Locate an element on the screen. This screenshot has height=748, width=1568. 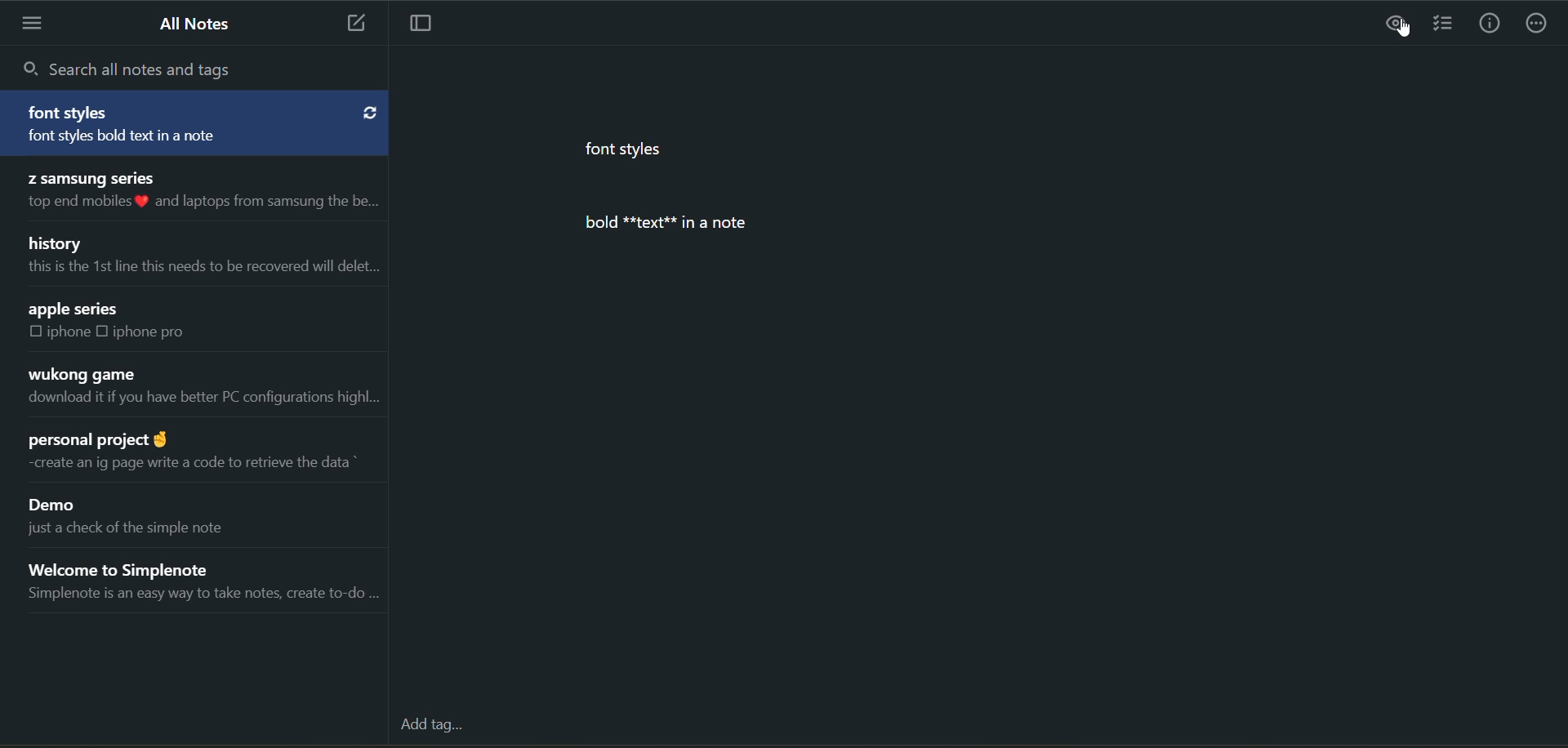
just a check of the simple note is located at coordinates (141, 532).